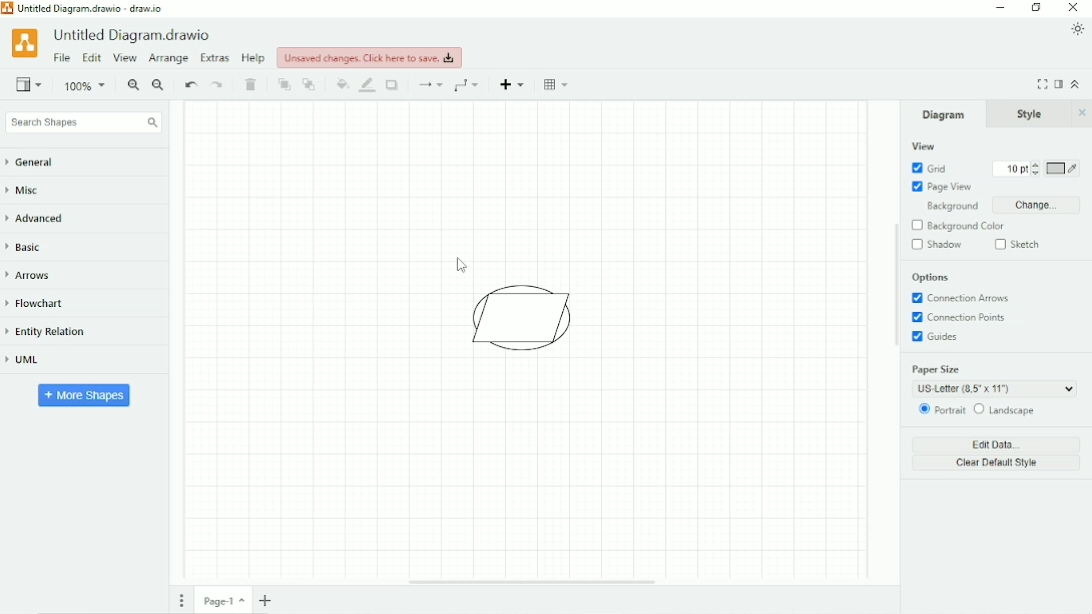 The image size is (1092, 614). Describe the element at coordinates (29, 83) in the screenshot. I see `View` at that location.